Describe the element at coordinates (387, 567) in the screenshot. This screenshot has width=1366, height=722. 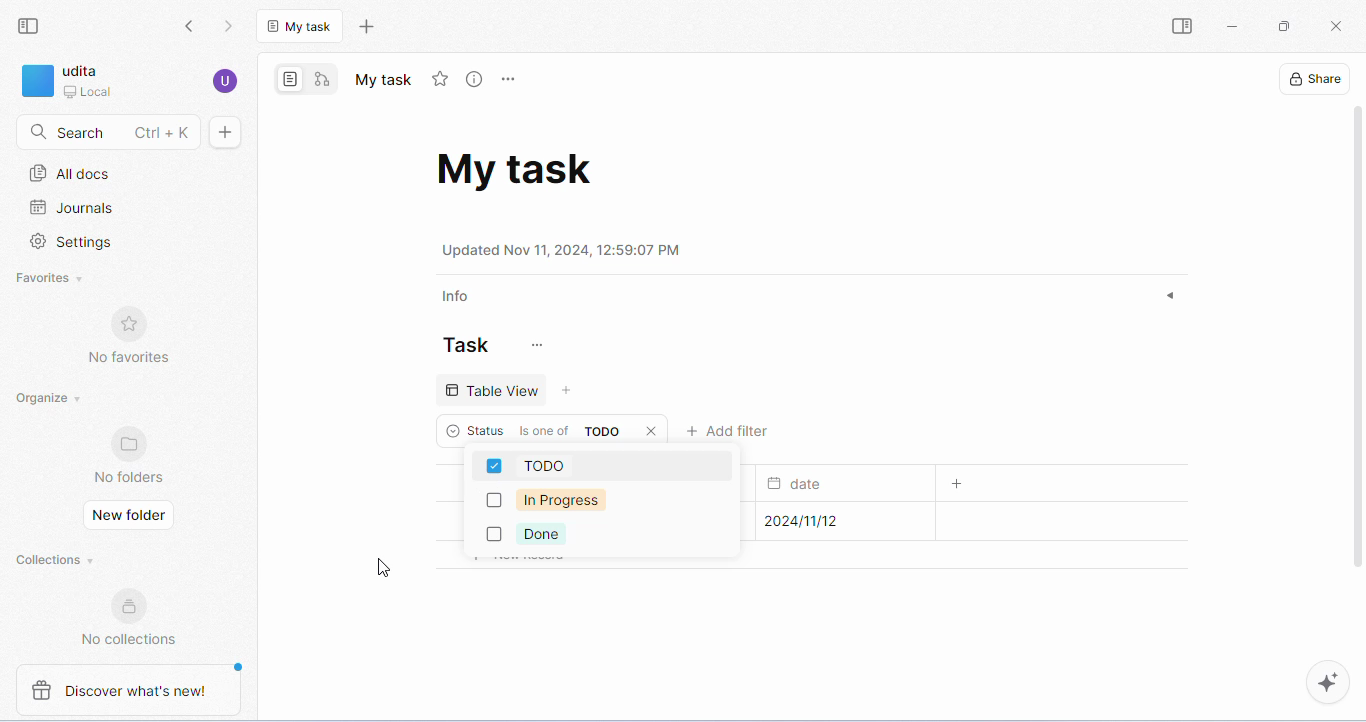
I see `cursor ` at that location.